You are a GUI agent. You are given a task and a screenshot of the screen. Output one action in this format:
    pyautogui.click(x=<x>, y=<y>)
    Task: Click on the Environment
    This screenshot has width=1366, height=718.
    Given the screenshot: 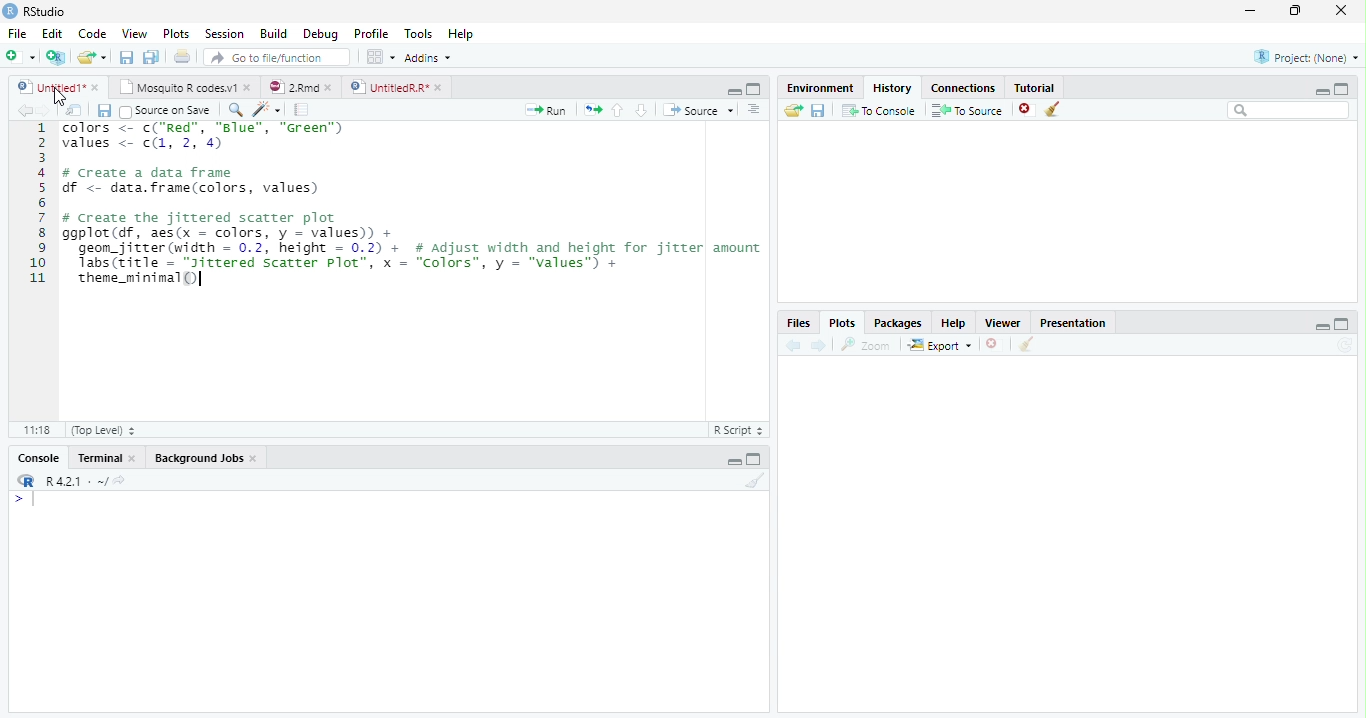 What is the action you would take?
    pyautogui.click(x=819, y=87)
    